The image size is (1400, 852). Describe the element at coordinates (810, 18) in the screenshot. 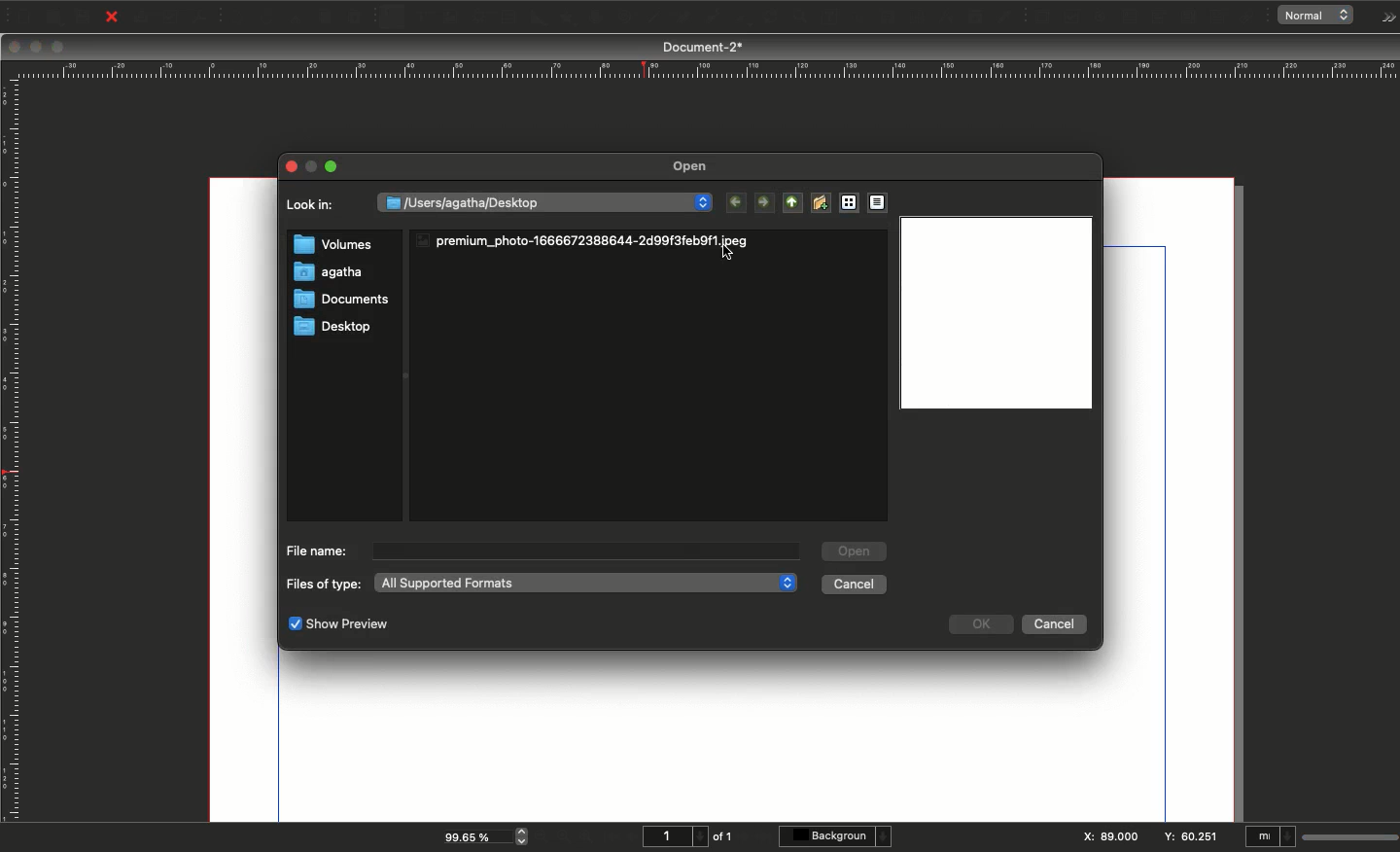

I see `Edit contents of frame` at that location.